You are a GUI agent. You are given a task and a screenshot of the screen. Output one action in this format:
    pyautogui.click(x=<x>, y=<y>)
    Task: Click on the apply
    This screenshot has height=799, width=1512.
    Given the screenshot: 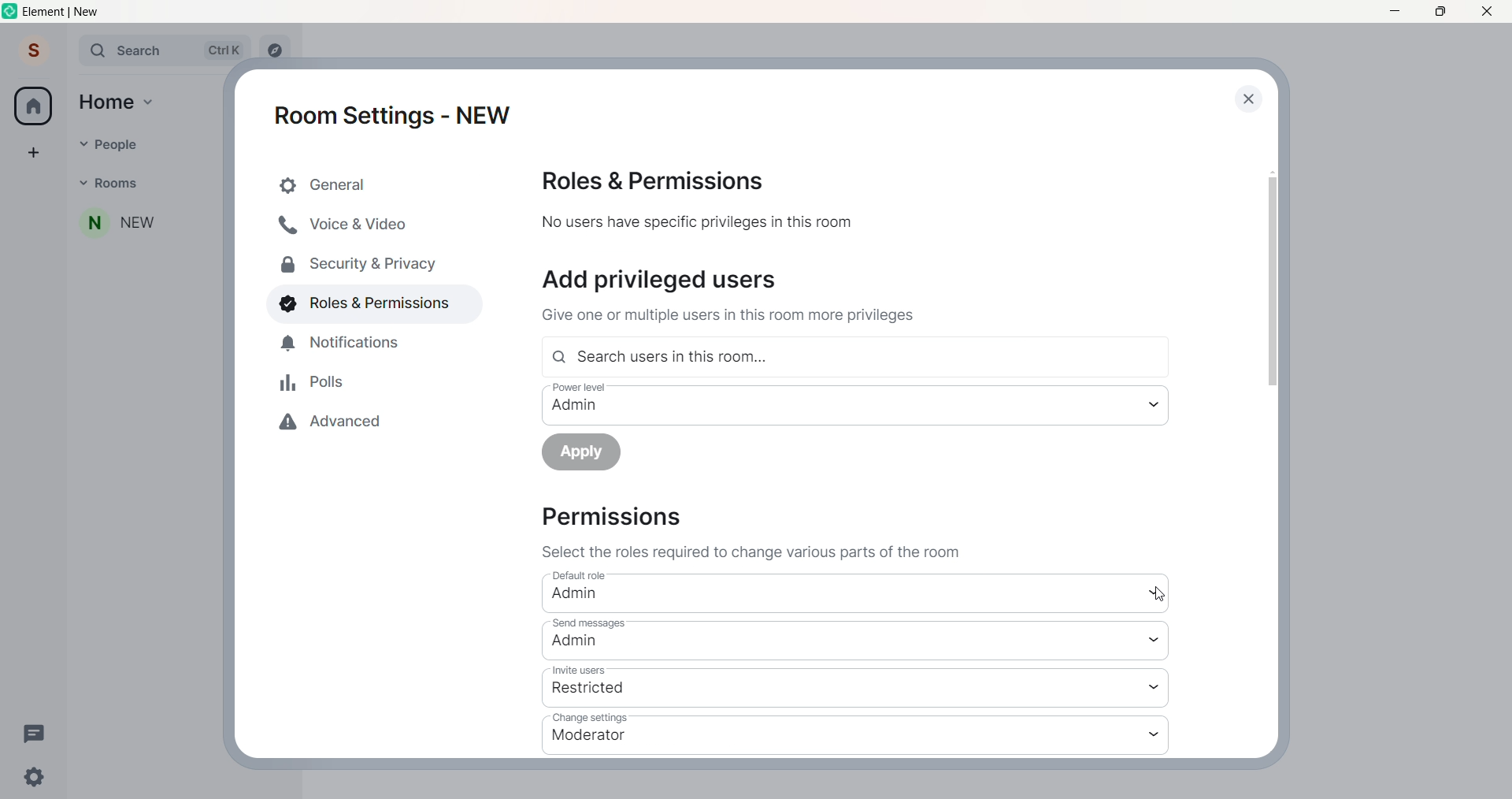 What is the action you would take?
    pyautogui.click(x=592, y=454)
    